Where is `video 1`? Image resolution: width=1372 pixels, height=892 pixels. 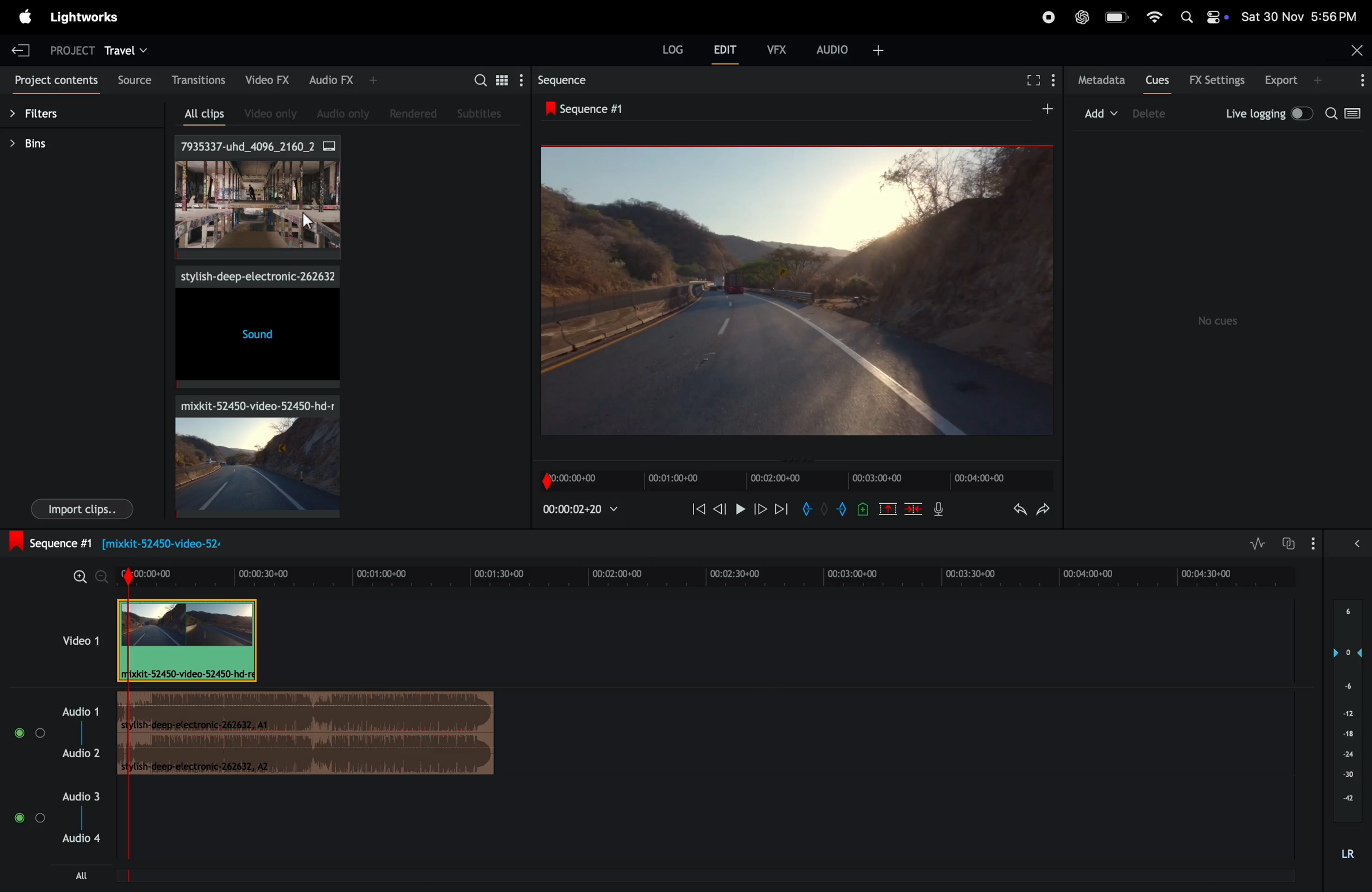 video 1 is located at coordinates (77, 639).